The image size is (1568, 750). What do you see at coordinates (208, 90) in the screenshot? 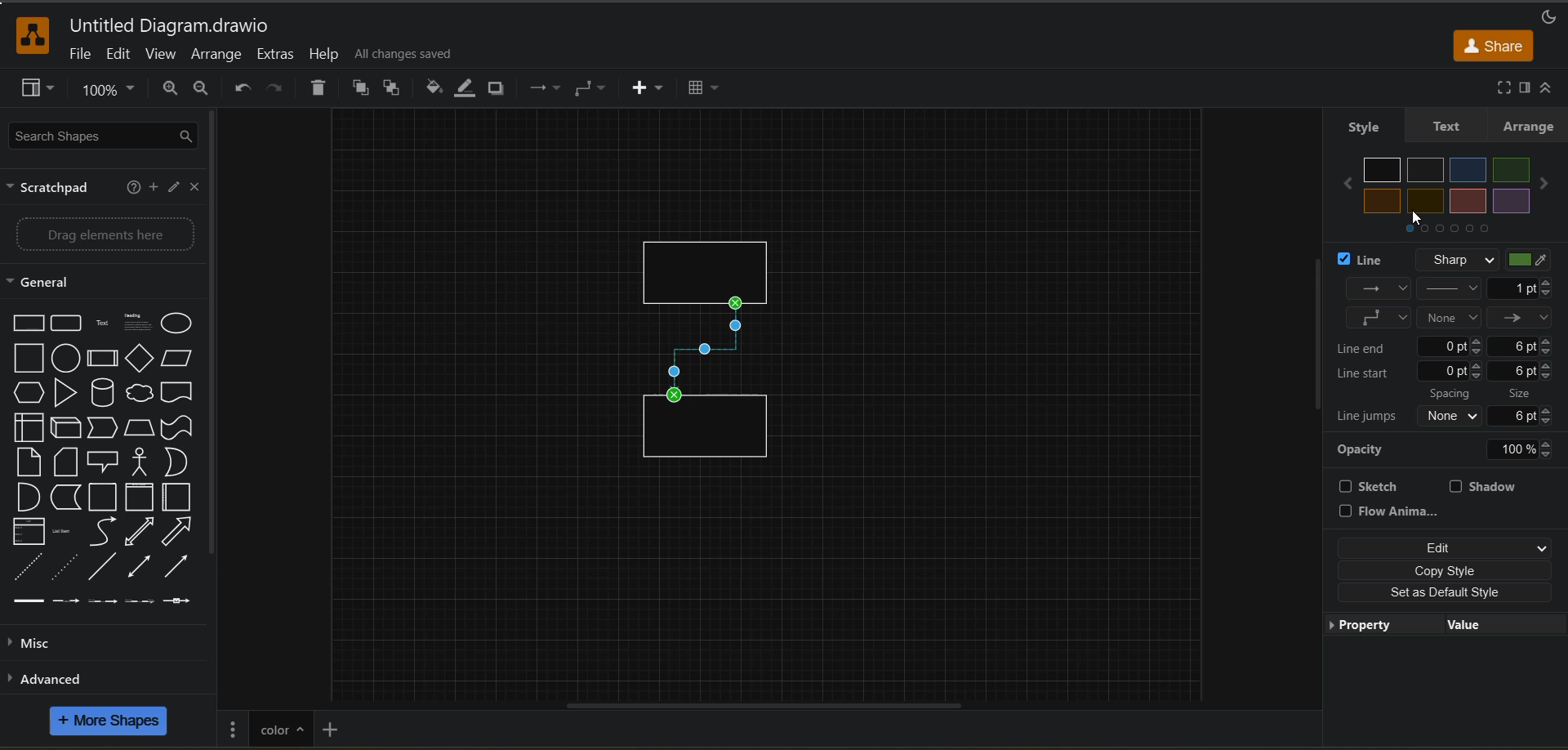
I see `zoom out` at bounding box center [208, 90].